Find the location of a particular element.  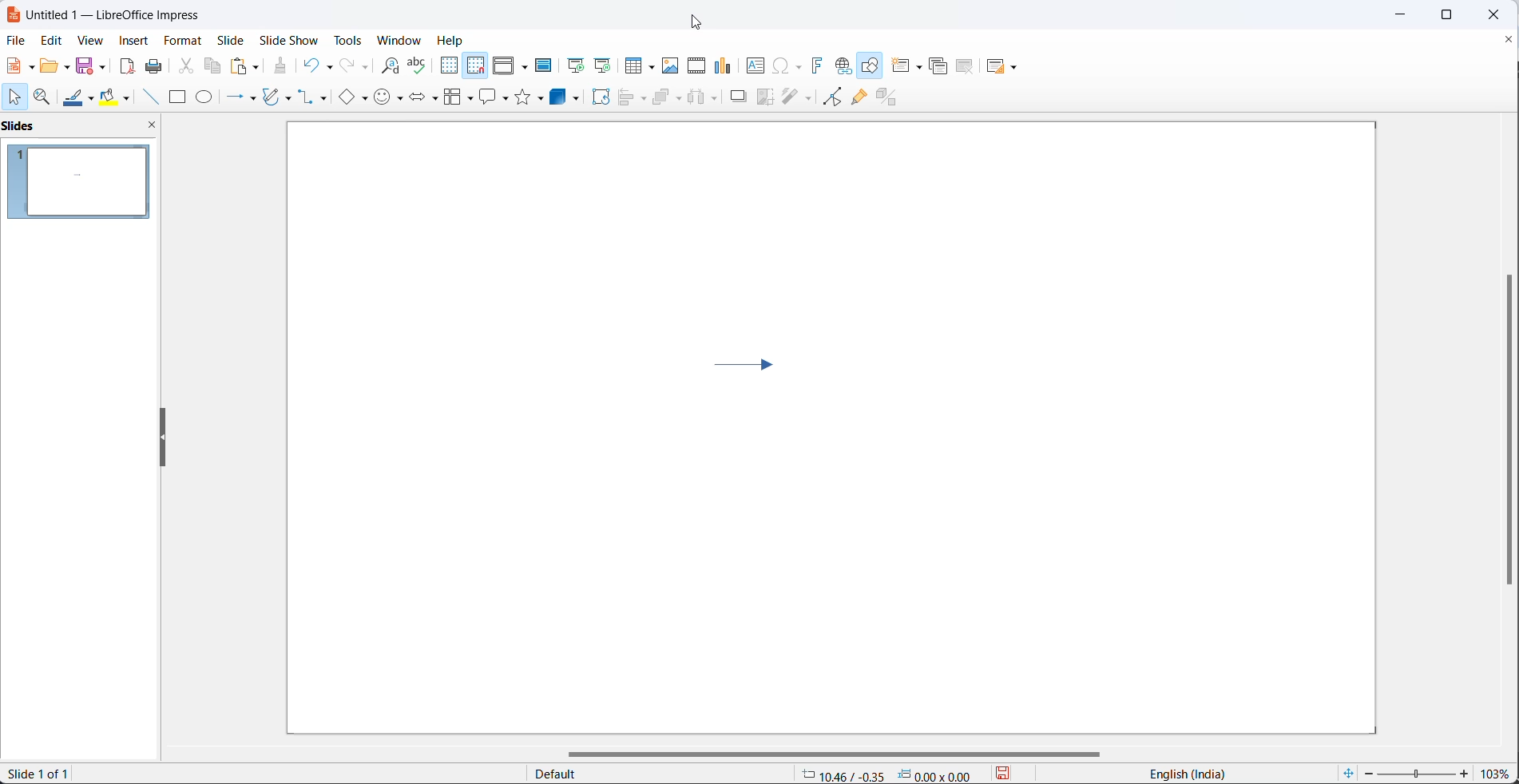

connectors is located at coordinates (315, 98).